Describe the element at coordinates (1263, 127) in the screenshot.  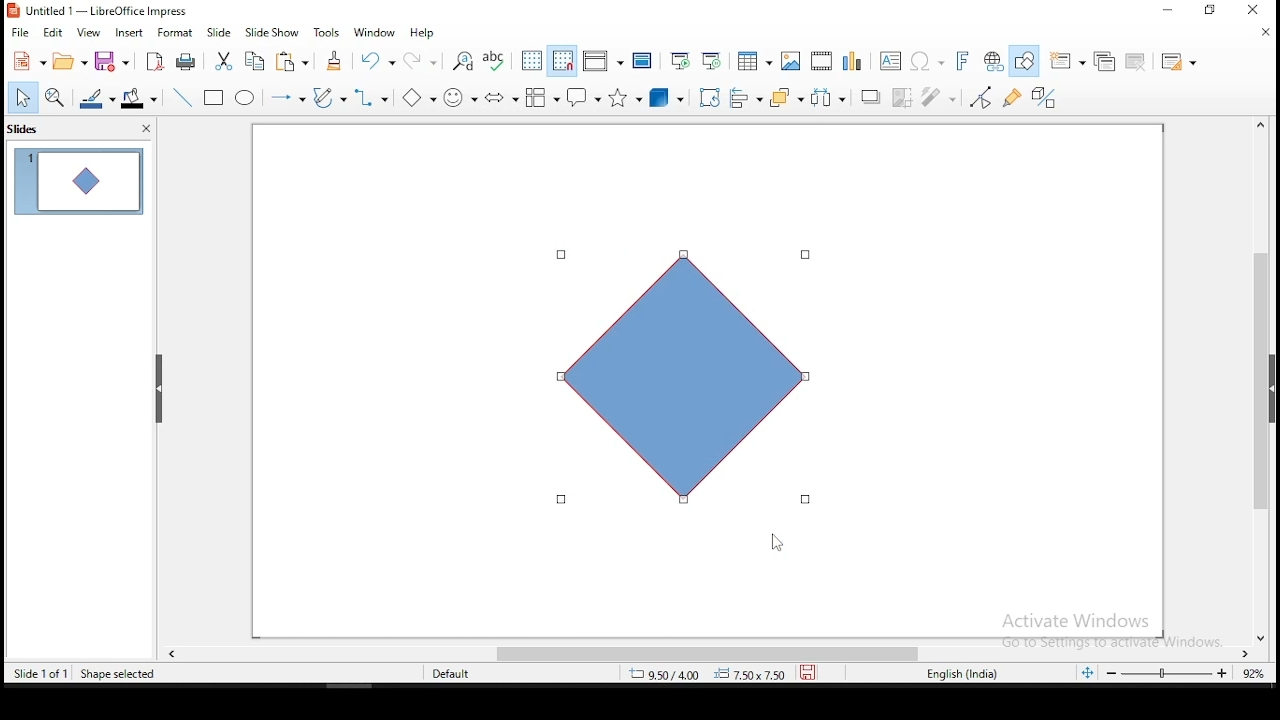
I see `scroll up` at that location.